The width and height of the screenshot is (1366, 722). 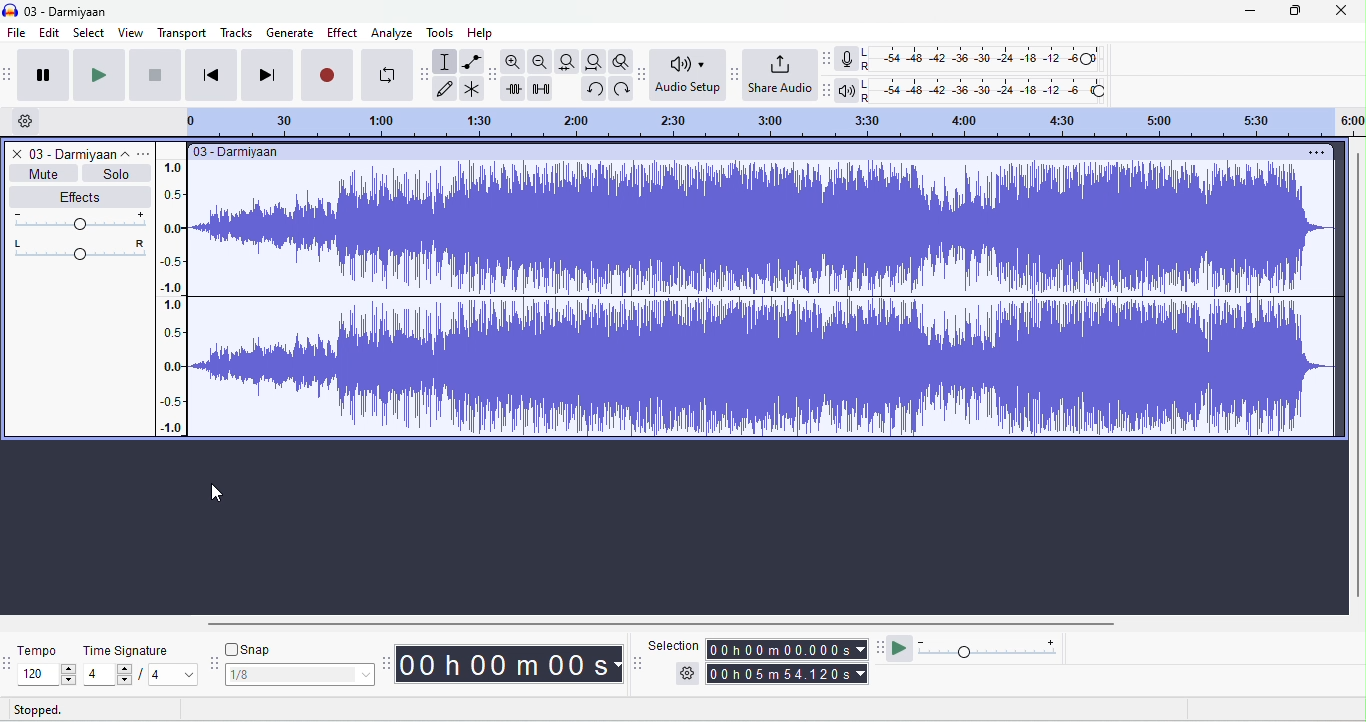 What do you see at coordinates (96, 76) in the screenshot?
I see `play` at bounding box center [96, 76].